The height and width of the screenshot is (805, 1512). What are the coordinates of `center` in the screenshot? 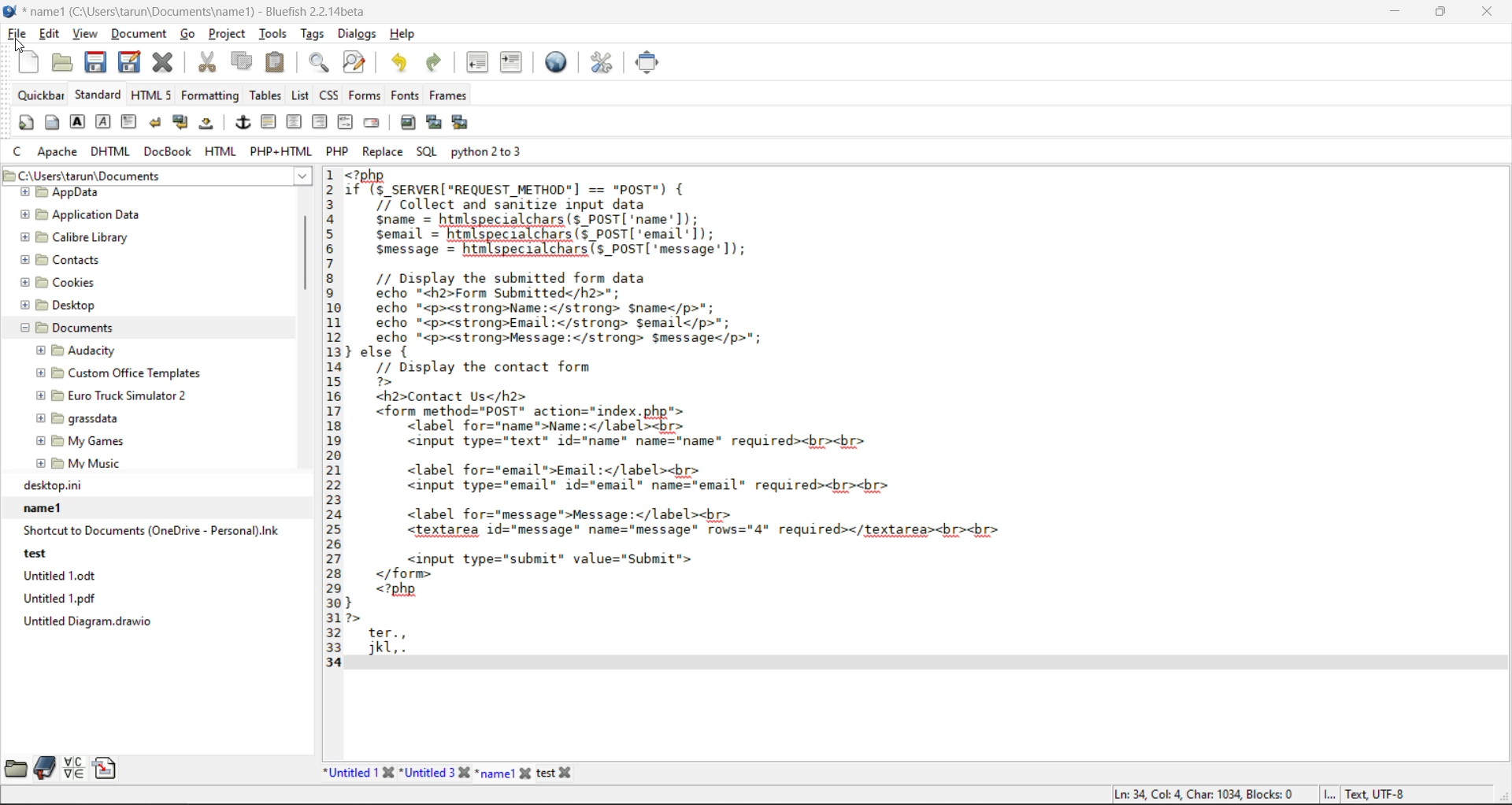 It's located at (292, 123).